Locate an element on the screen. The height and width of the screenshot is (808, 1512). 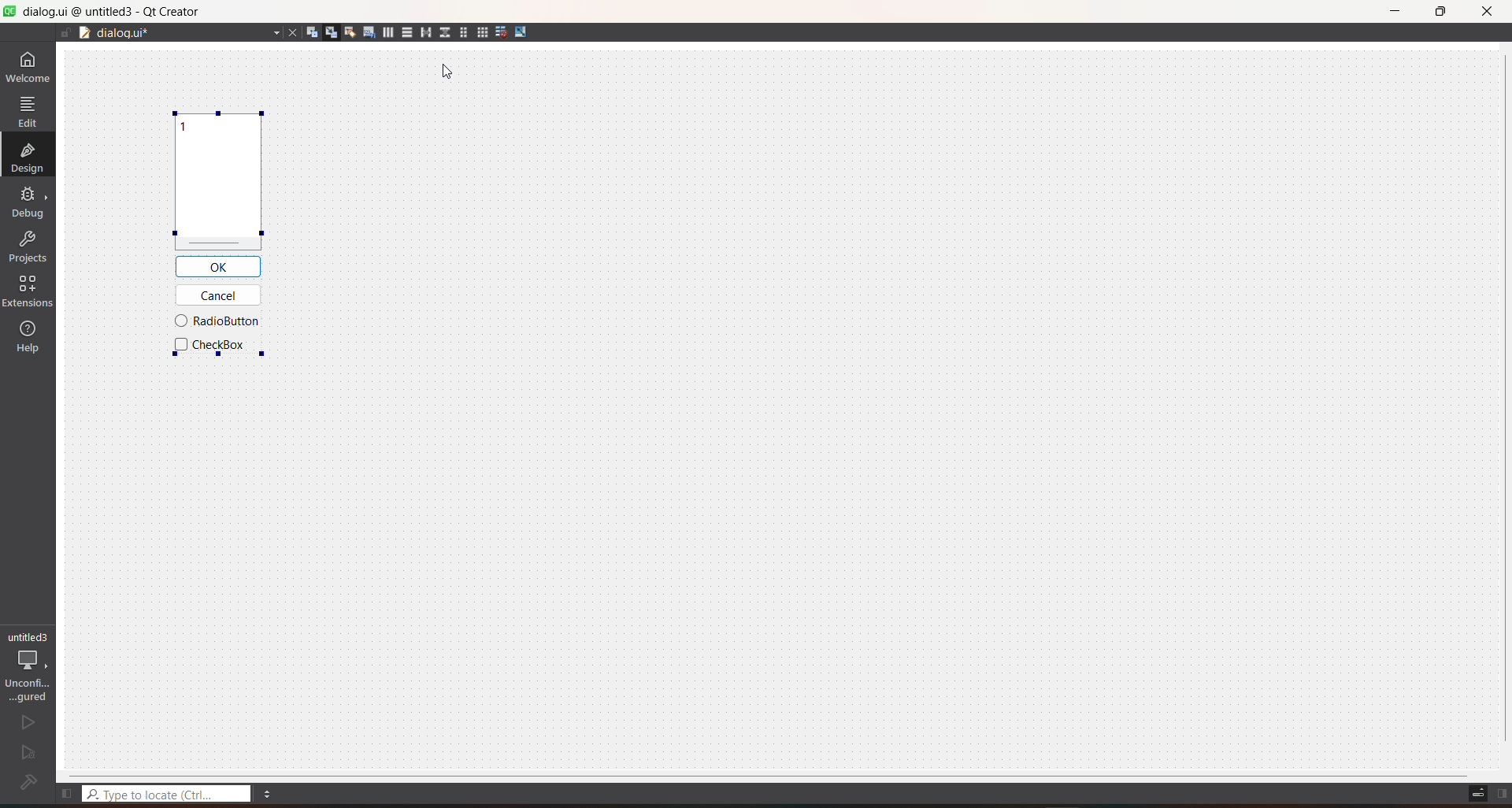
current file name is located at coordinates (187, 33).